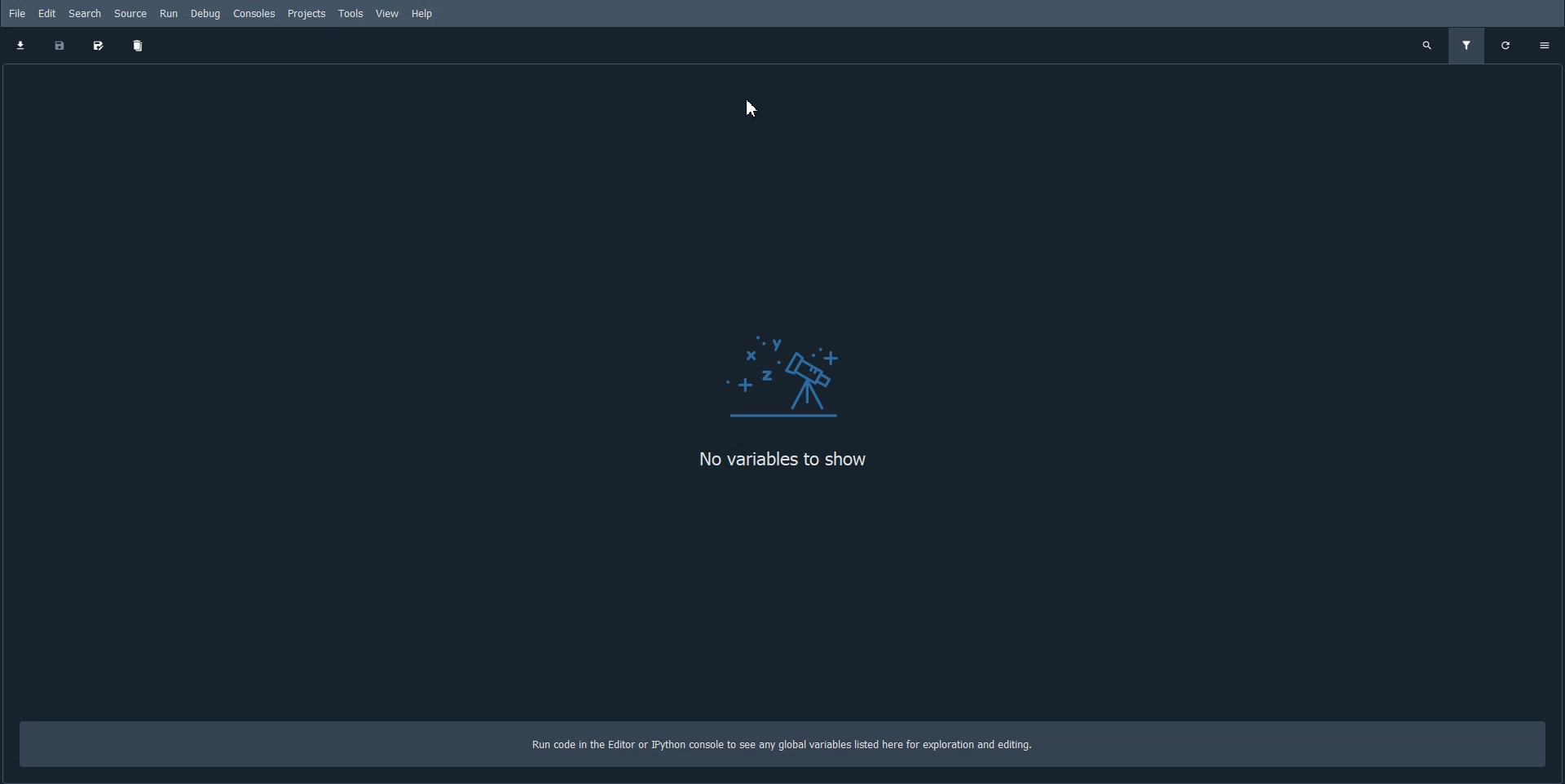 This screenshot has height=784, width=1565. I want to click on Search, so click(85, 13).